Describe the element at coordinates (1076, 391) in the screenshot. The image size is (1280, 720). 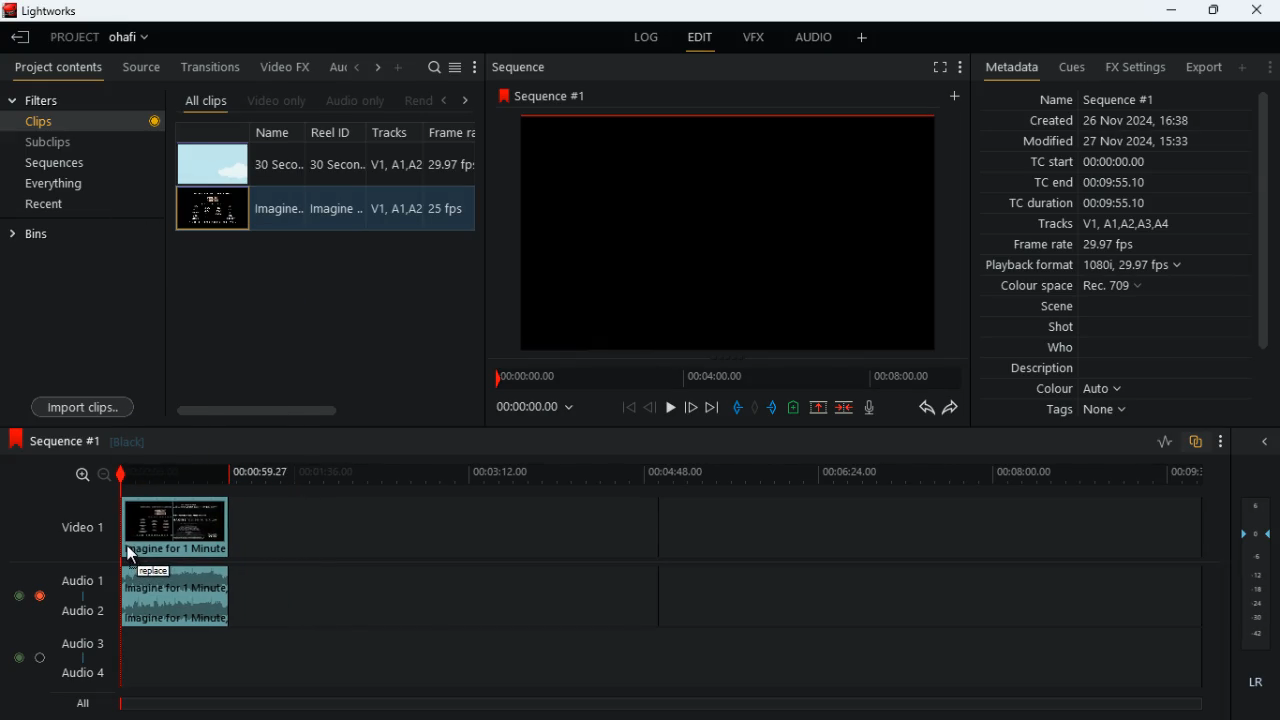
I see `colour` at that location.